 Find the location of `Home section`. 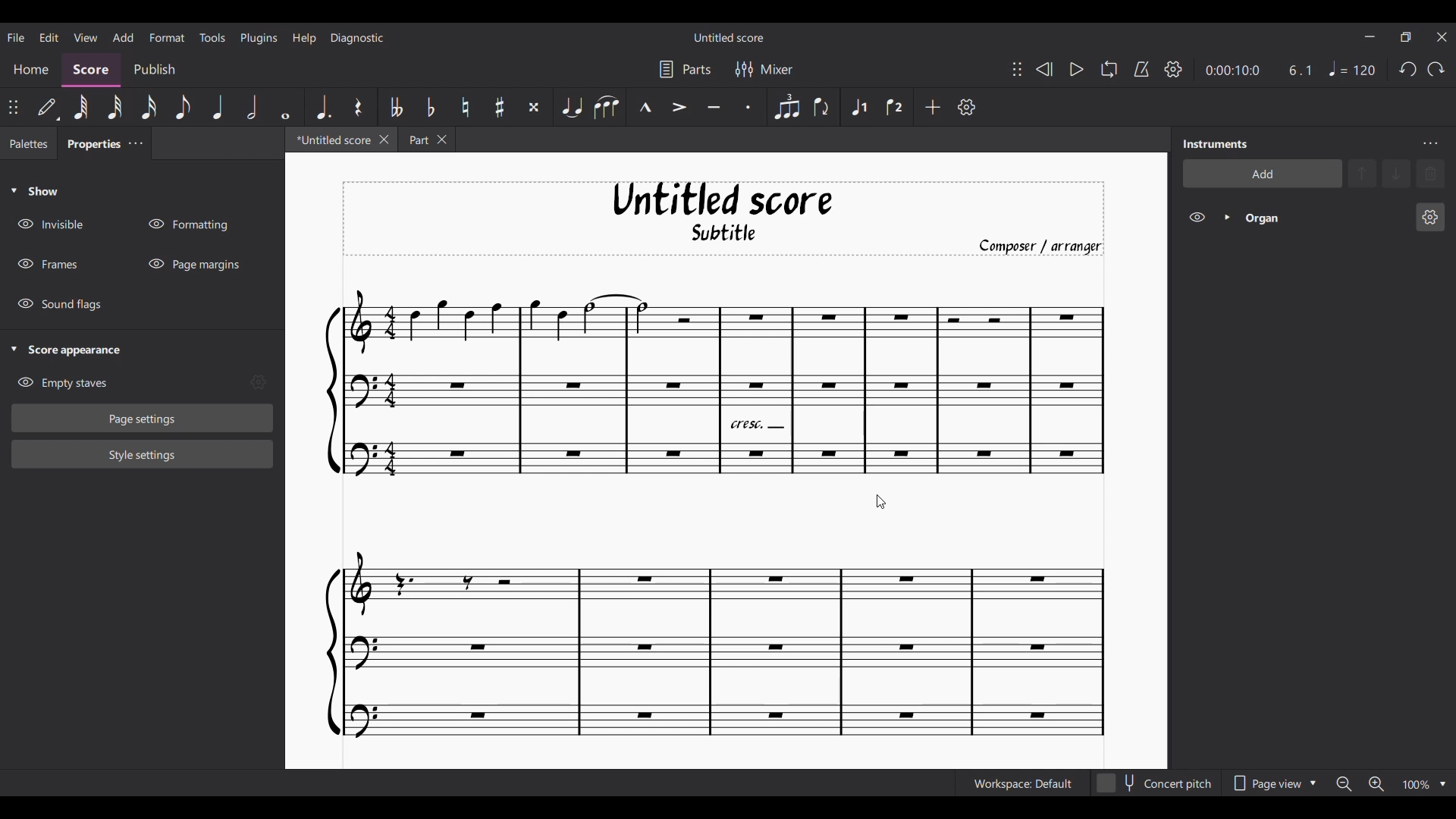

Home section is located at coordinates (30, 71).